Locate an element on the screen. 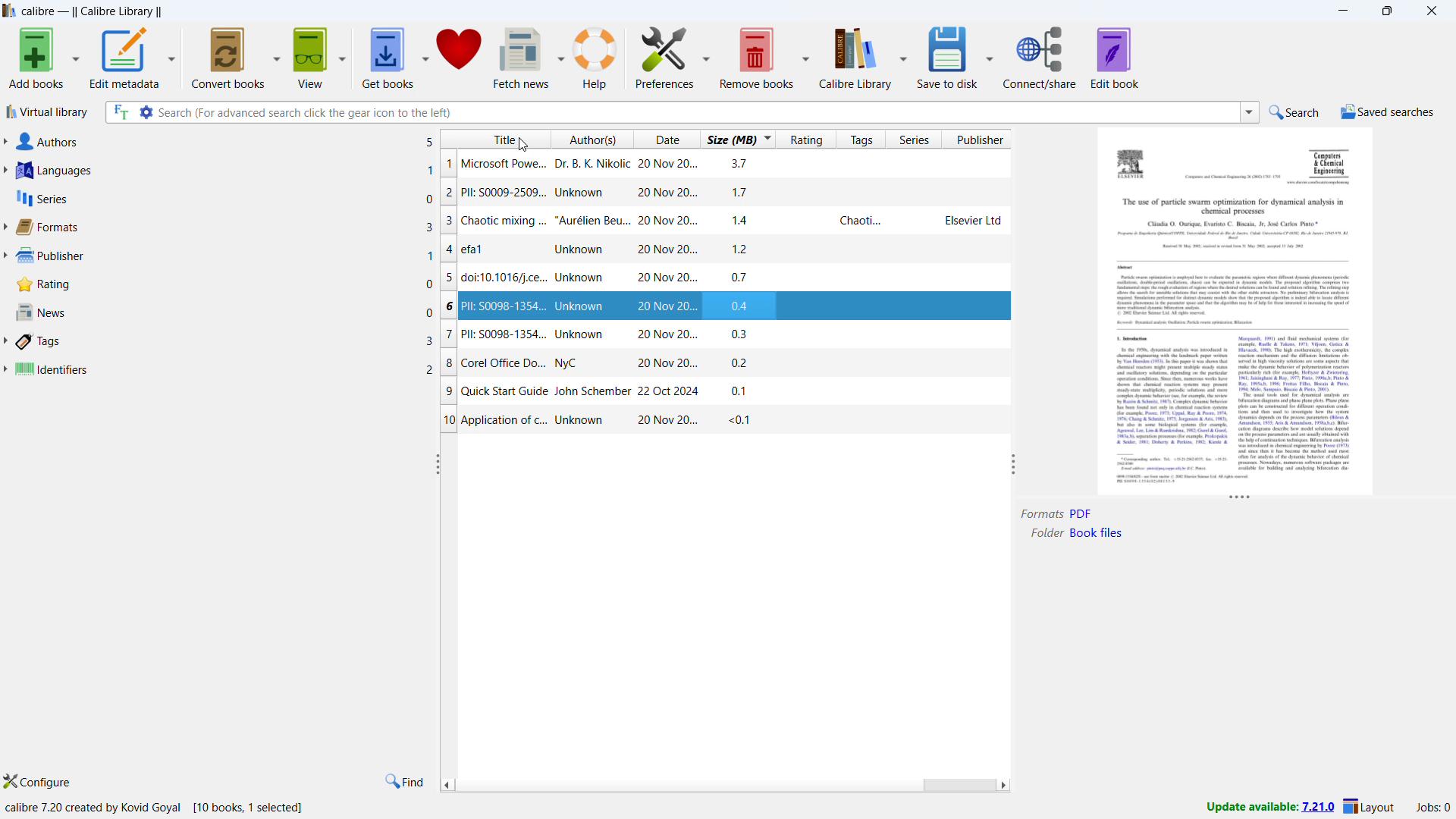 This screenshot has width=1456, height=819. donate to support calibre is located at coordinates (460, 54).